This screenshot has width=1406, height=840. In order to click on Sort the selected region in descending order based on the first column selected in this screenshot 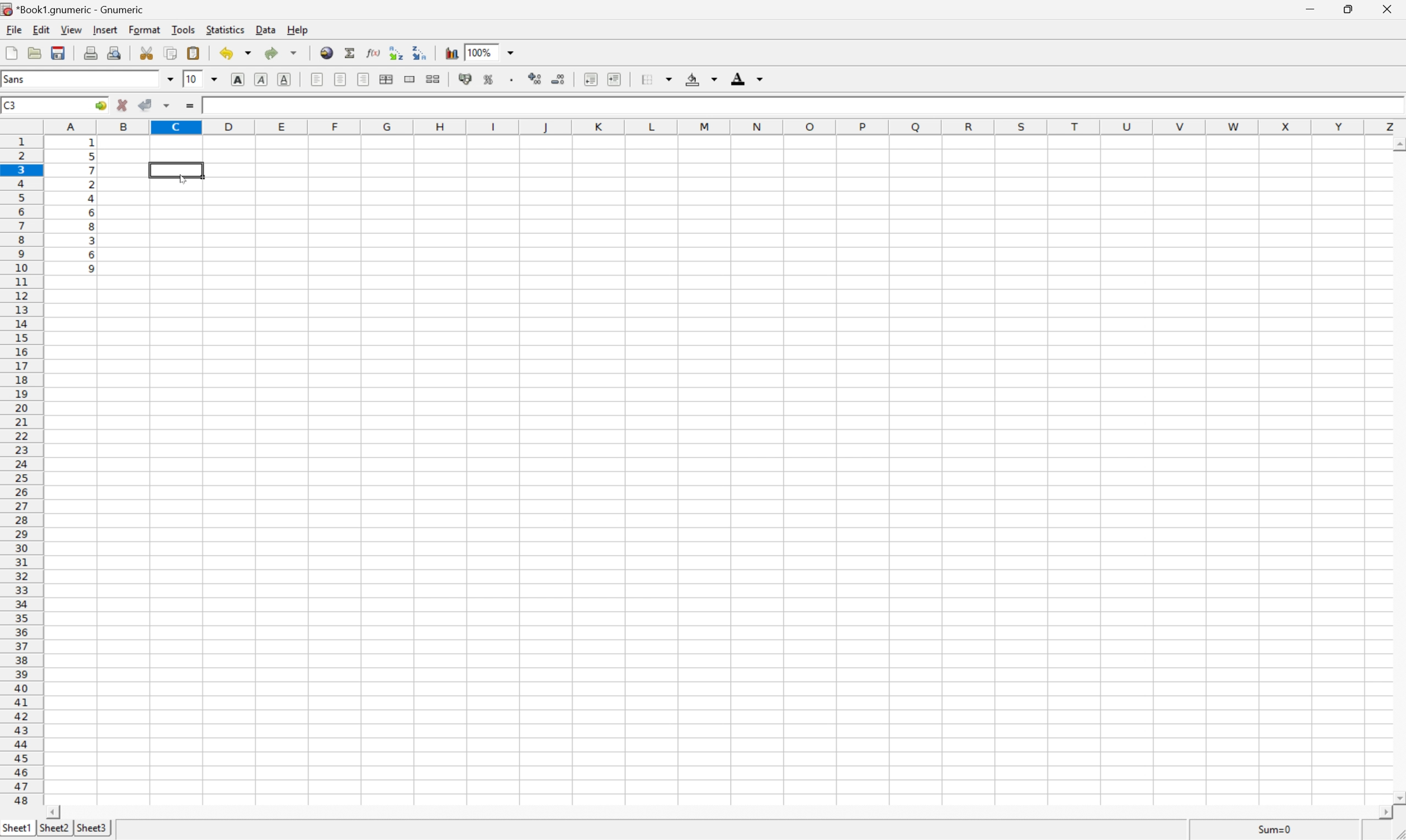, I will do `click(421, 54)`.